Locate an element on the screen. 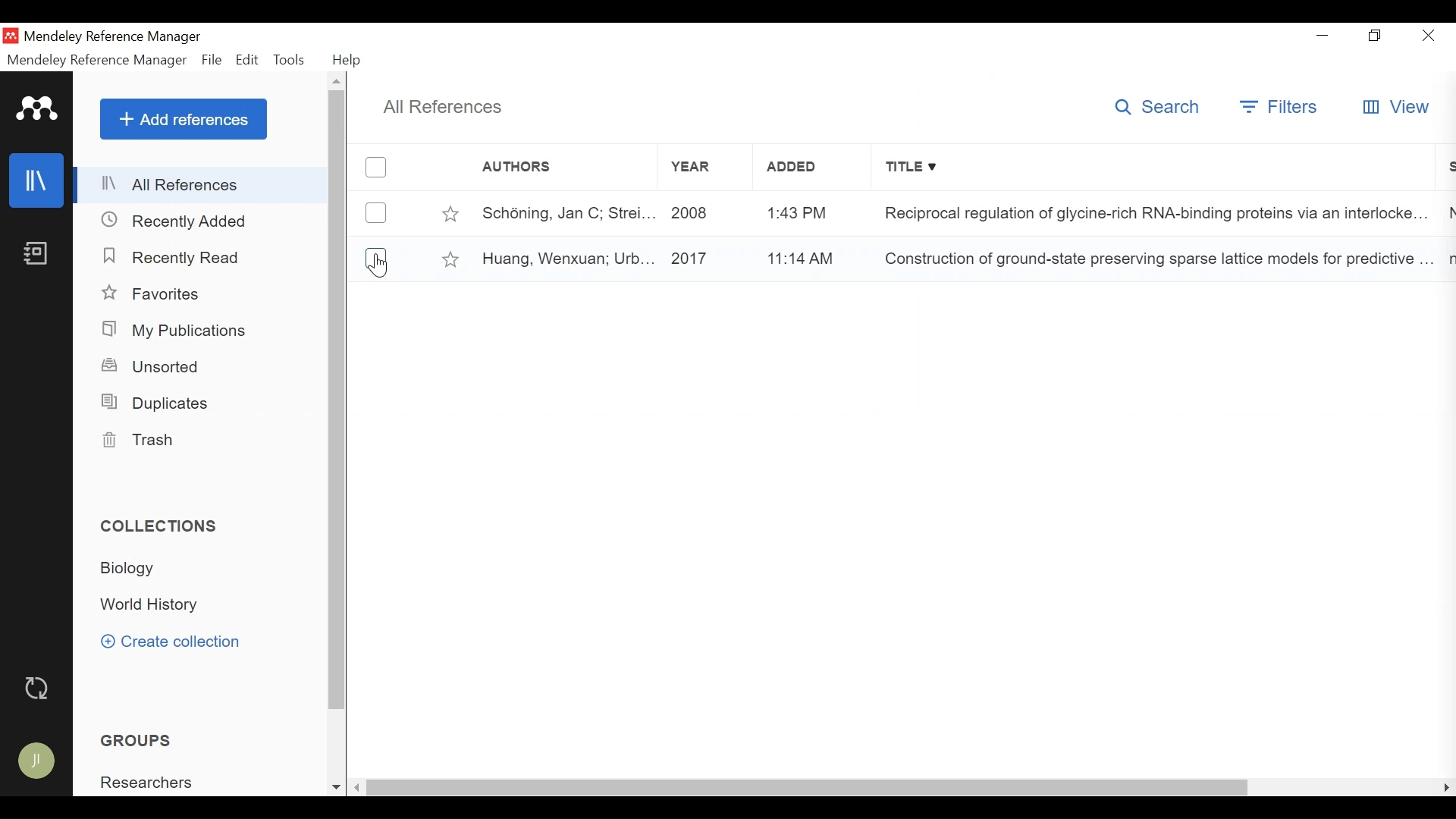 The height and width of the screenshot is (819, 1456). Restore is located at coordinates (1377, 36).